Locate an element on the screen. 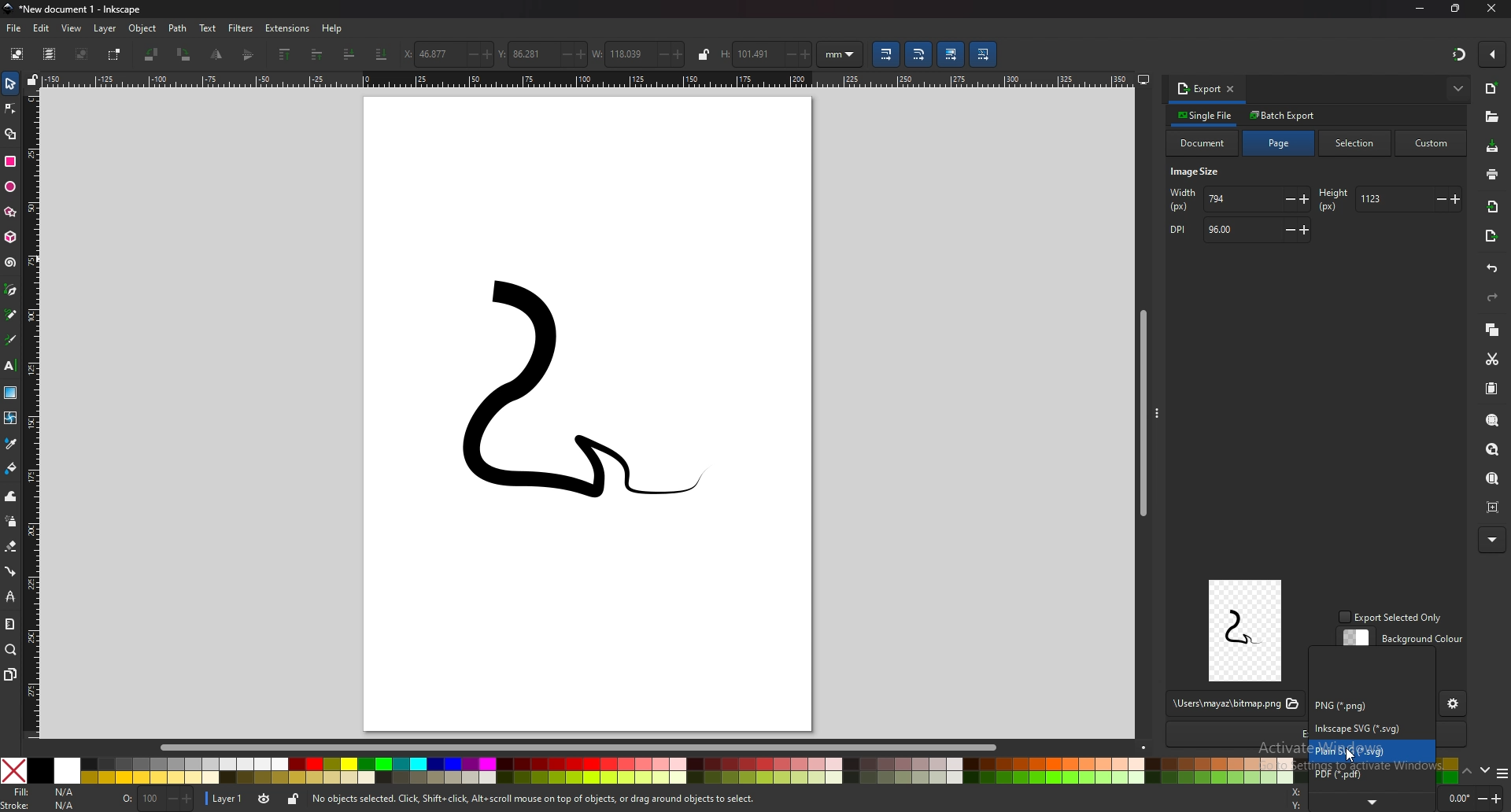 Image resolution: width=1511 pixels, height=812 pixels. preview is located at coordinates (1246, 630).